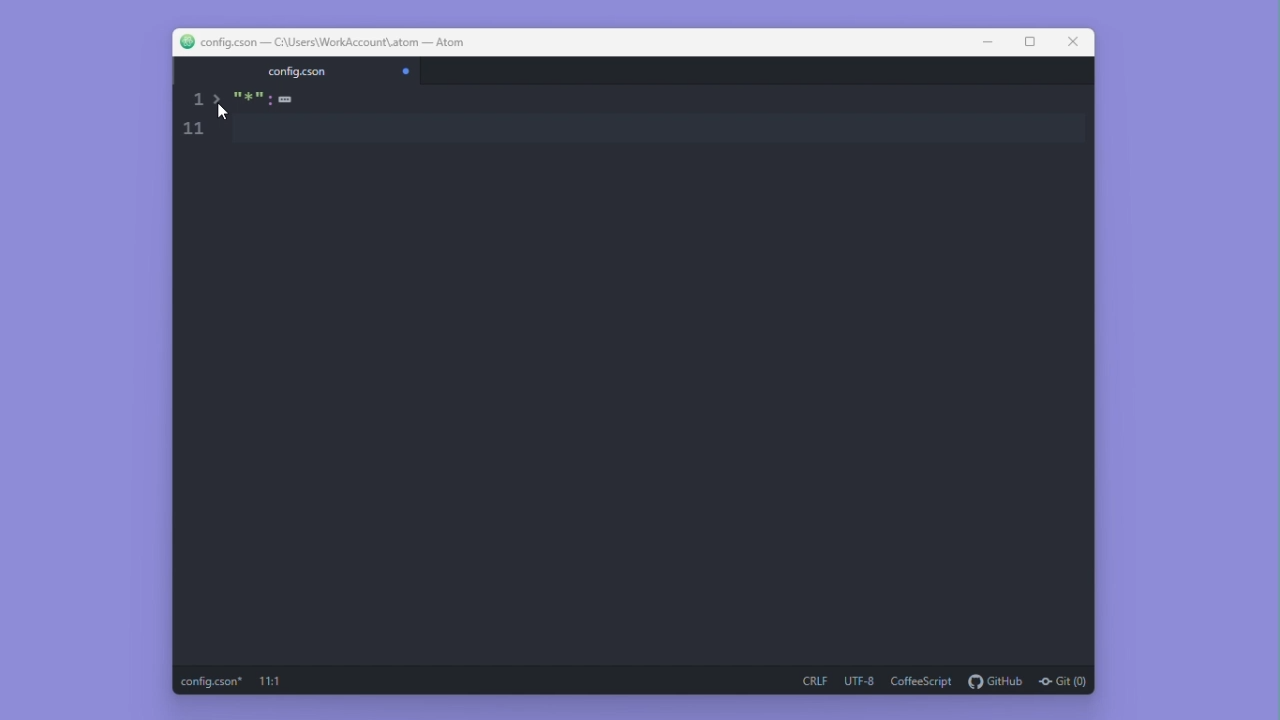 The height and width of the screenshot is (720, 1280). Describe the element at coordinates (222, 112) in the screenshot. I see `cursor` at that location.